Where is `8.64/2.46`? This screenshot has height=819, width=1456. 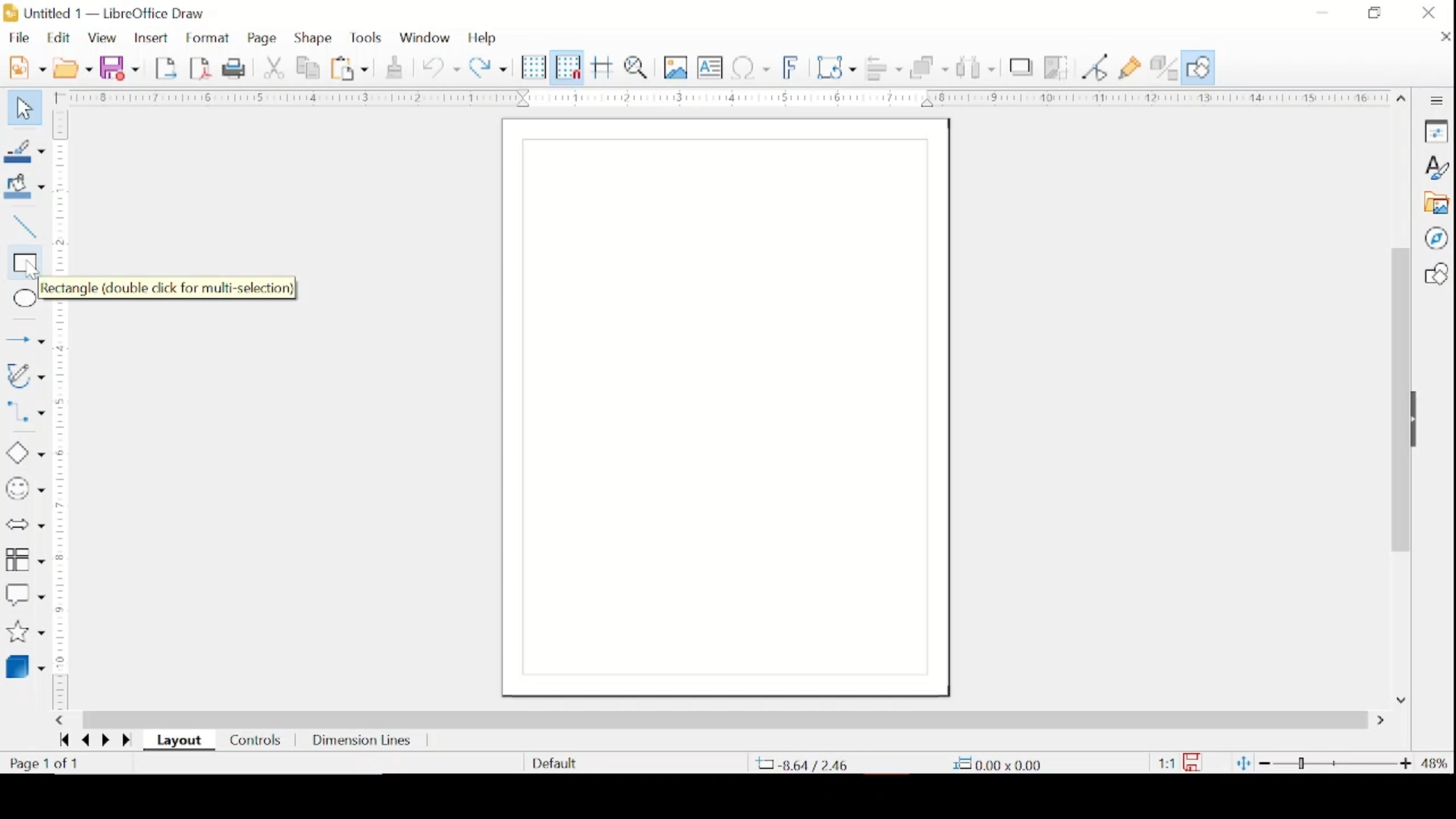 8.64/2.46 is located at coordinates (803, 764).